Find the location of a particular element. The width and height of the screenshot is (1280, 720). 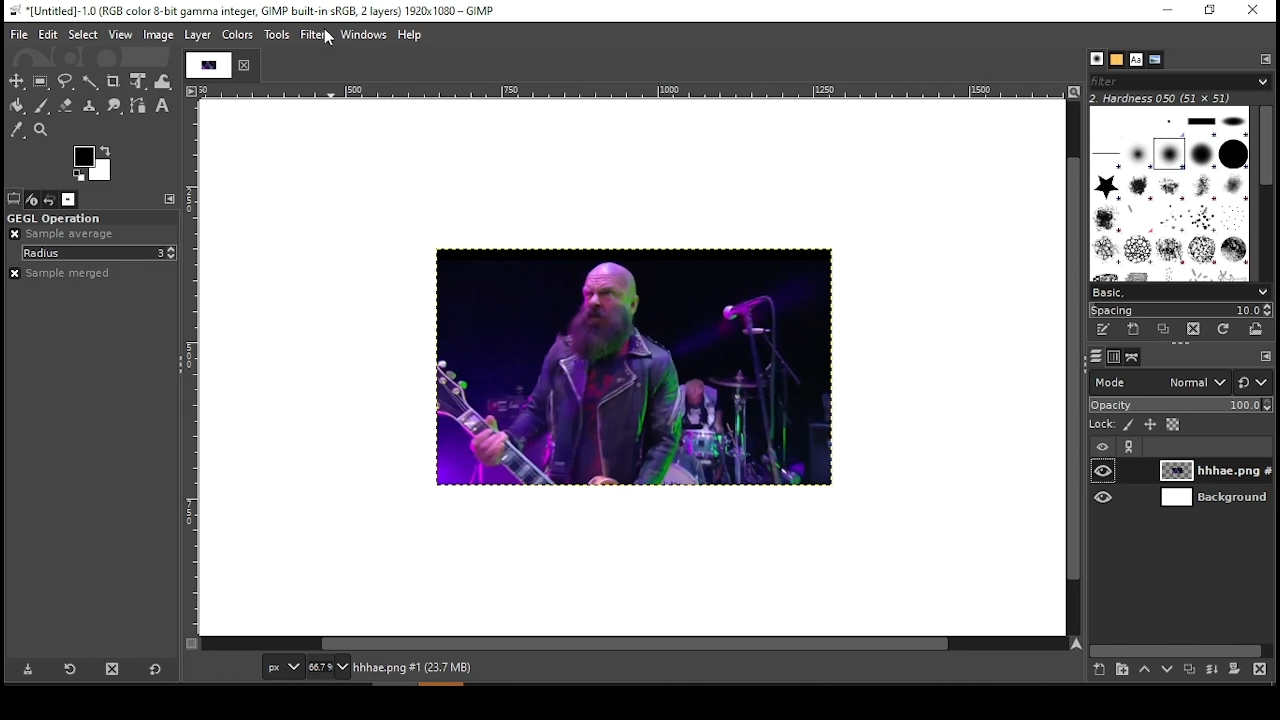

layer is located at coordinates (199, 36).